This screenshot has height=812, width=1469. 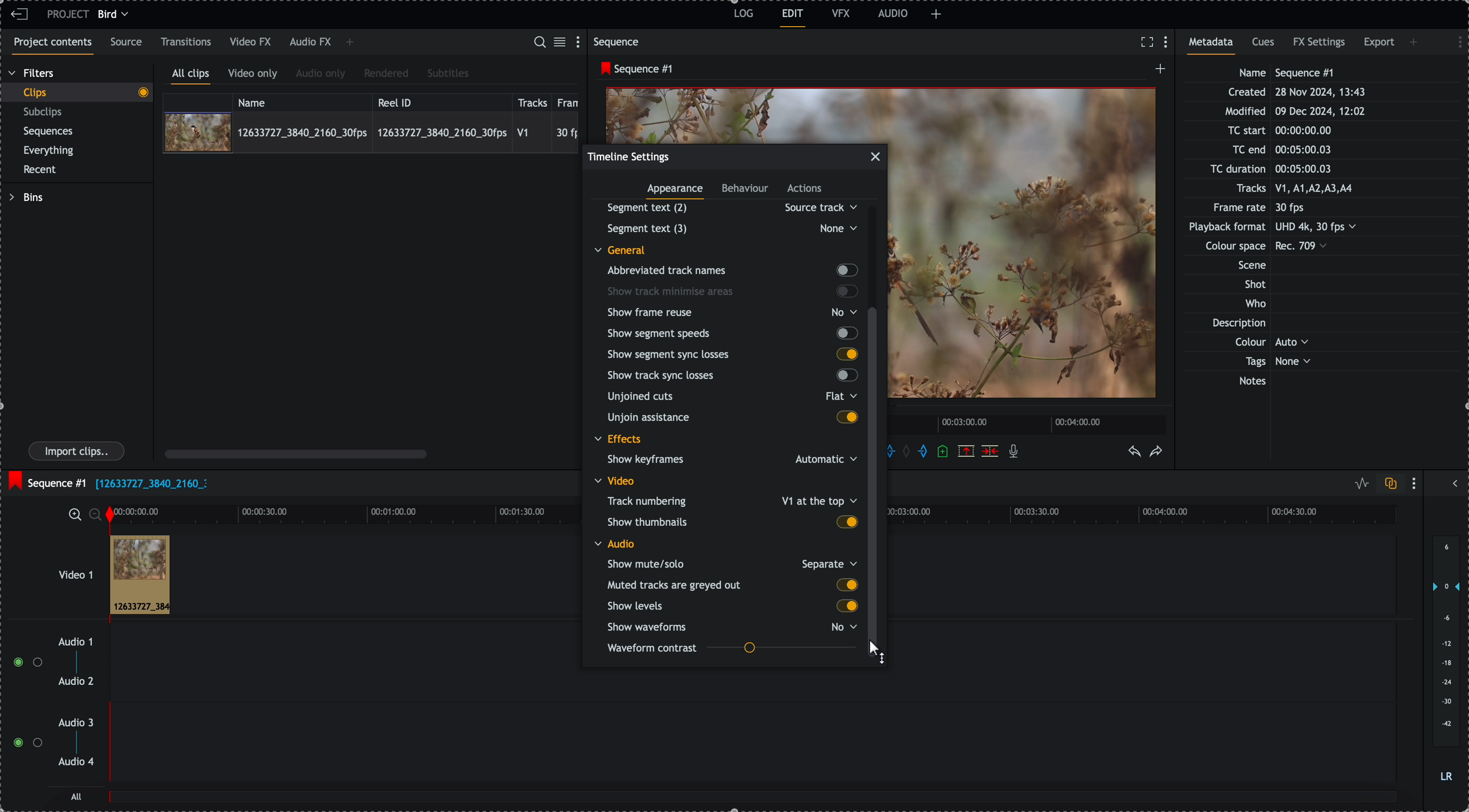 What do you see at coordinates (875, 157) in the screenshot?
I see `close popup` at bounding box center [875, 157].